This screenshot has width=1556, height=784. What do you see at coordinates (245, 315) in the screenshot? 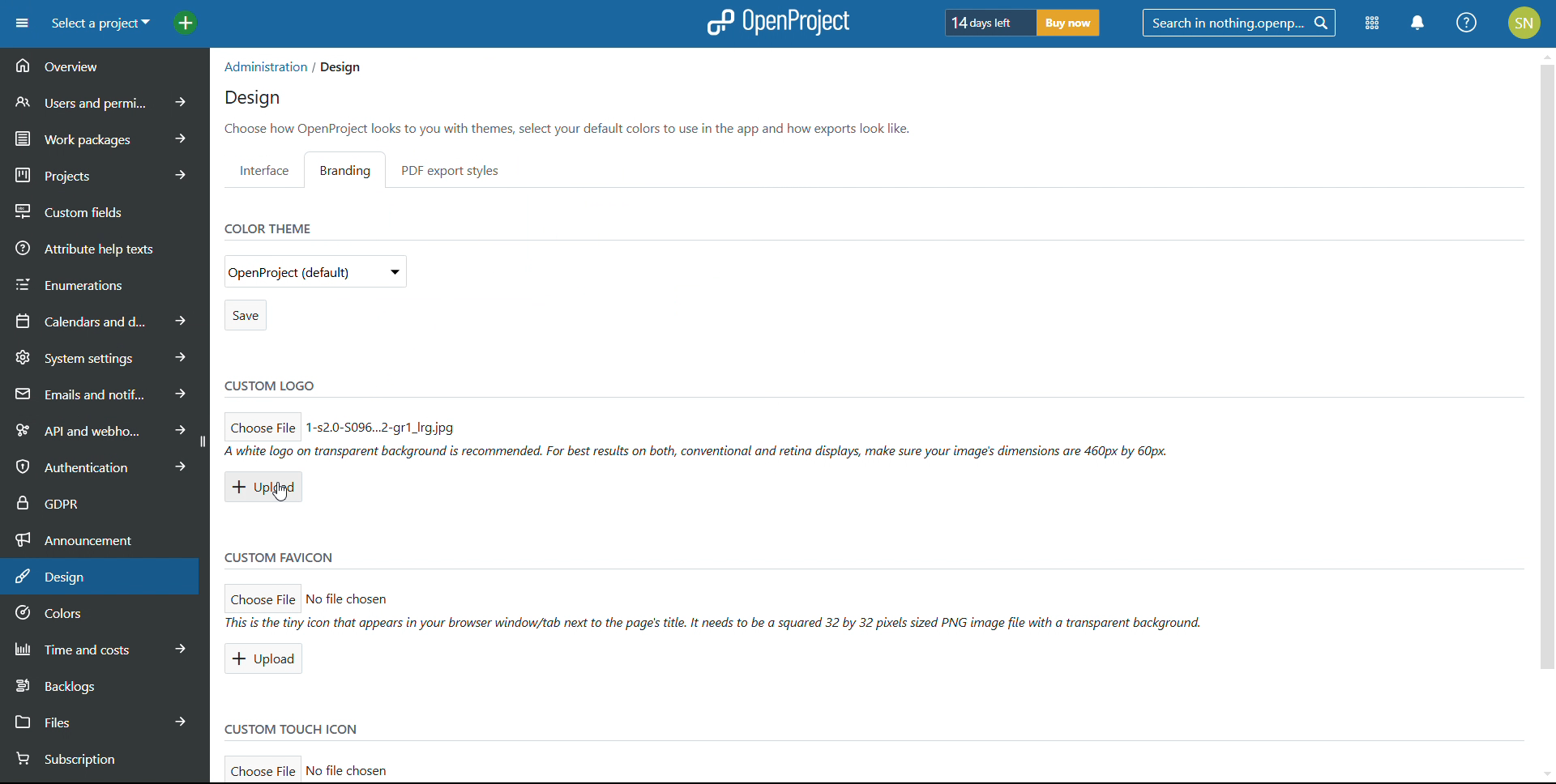
I see `save` at bounding box center [245, 315].